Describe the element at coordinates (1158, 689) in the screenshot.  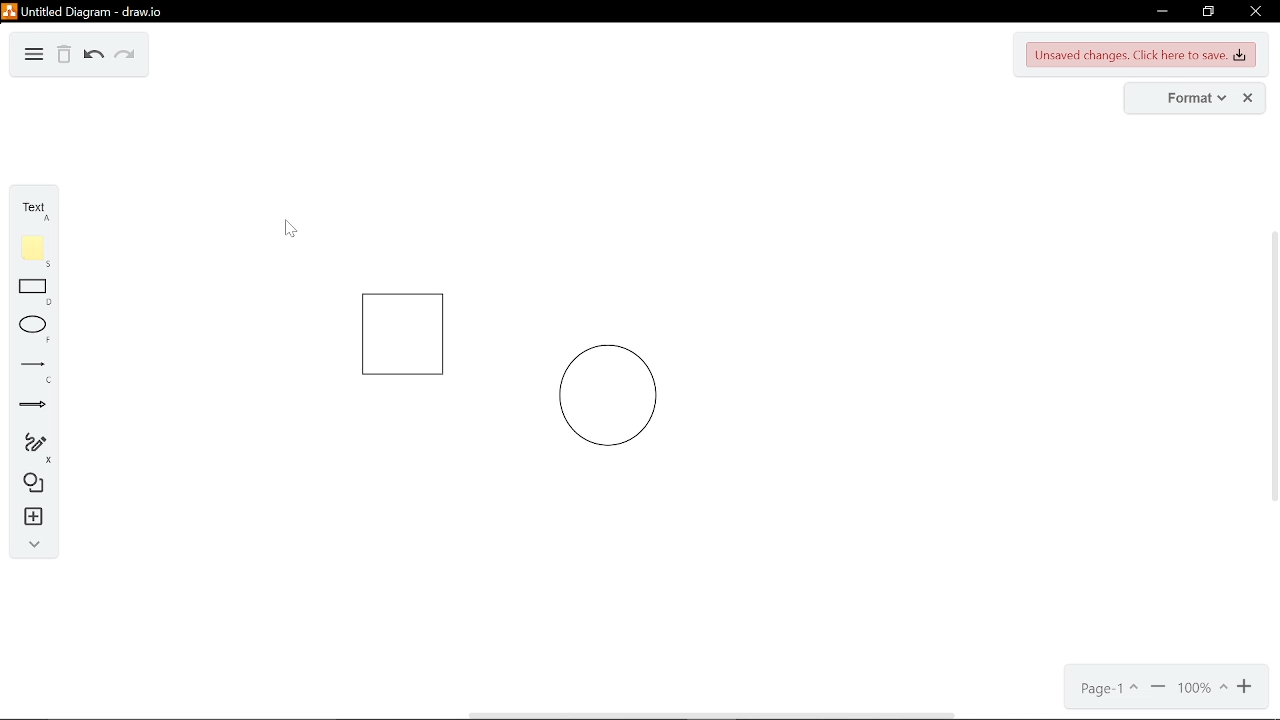
I see `zoom out` at that location.